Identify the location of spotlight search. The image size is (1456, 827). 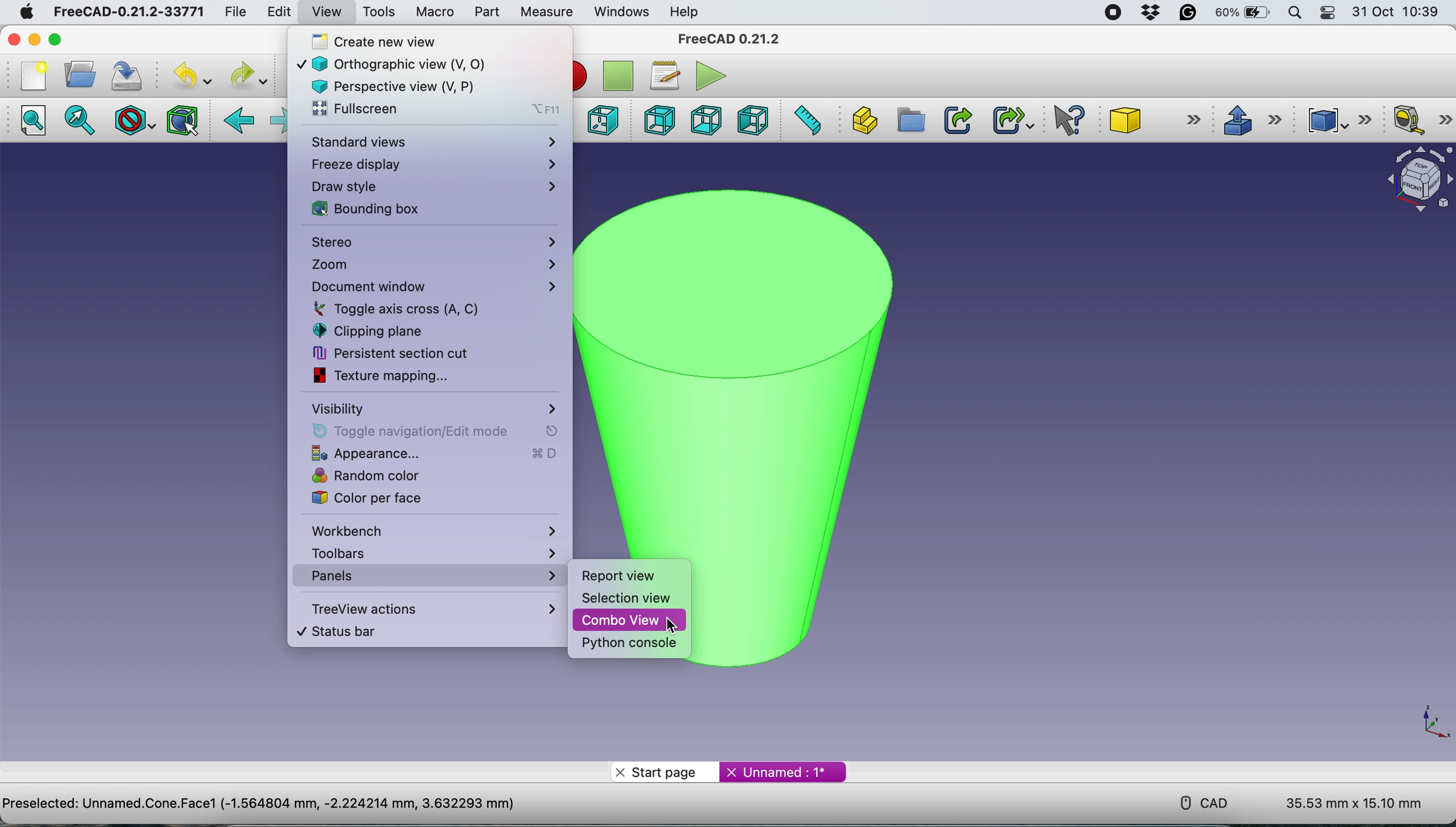
(1295, 12).